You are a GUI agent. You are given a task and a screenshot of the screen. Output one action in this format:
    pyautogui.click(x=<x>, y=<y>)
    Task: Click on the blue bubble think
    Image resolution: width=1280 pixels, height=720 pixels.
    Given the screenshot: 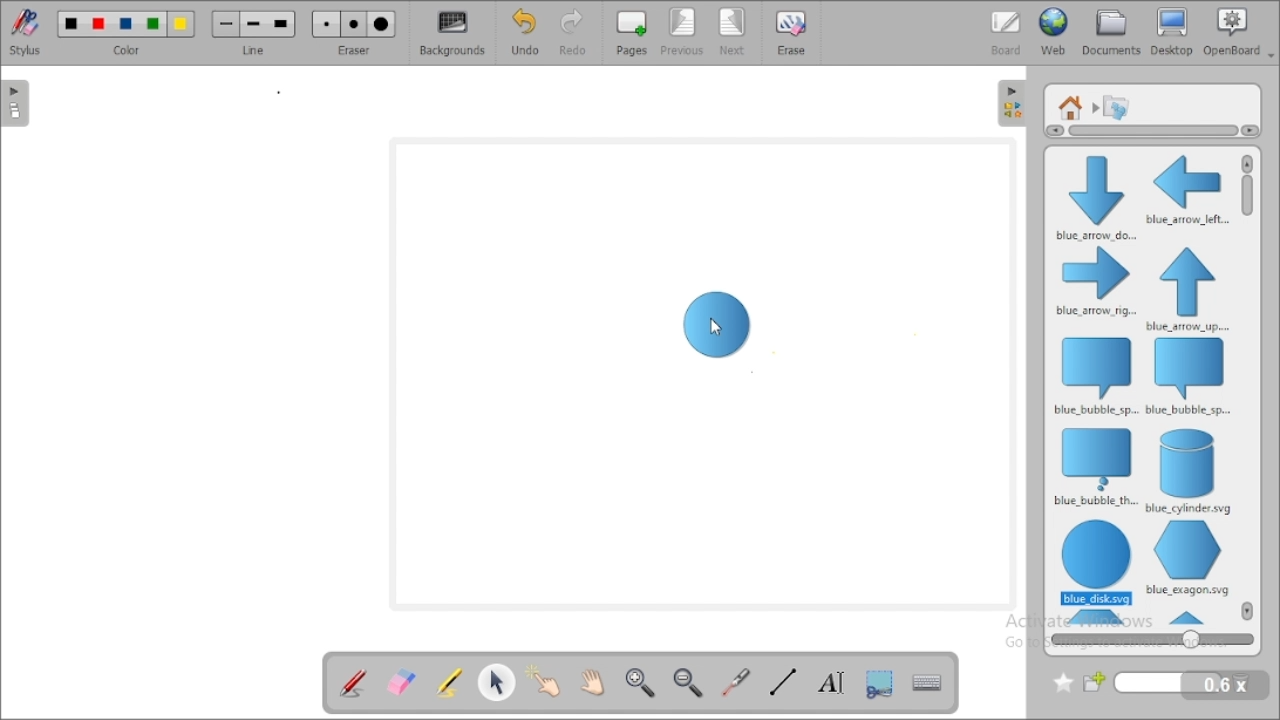 What is the action you would take?
    pyautogui.click(x=1094, y=467)
    